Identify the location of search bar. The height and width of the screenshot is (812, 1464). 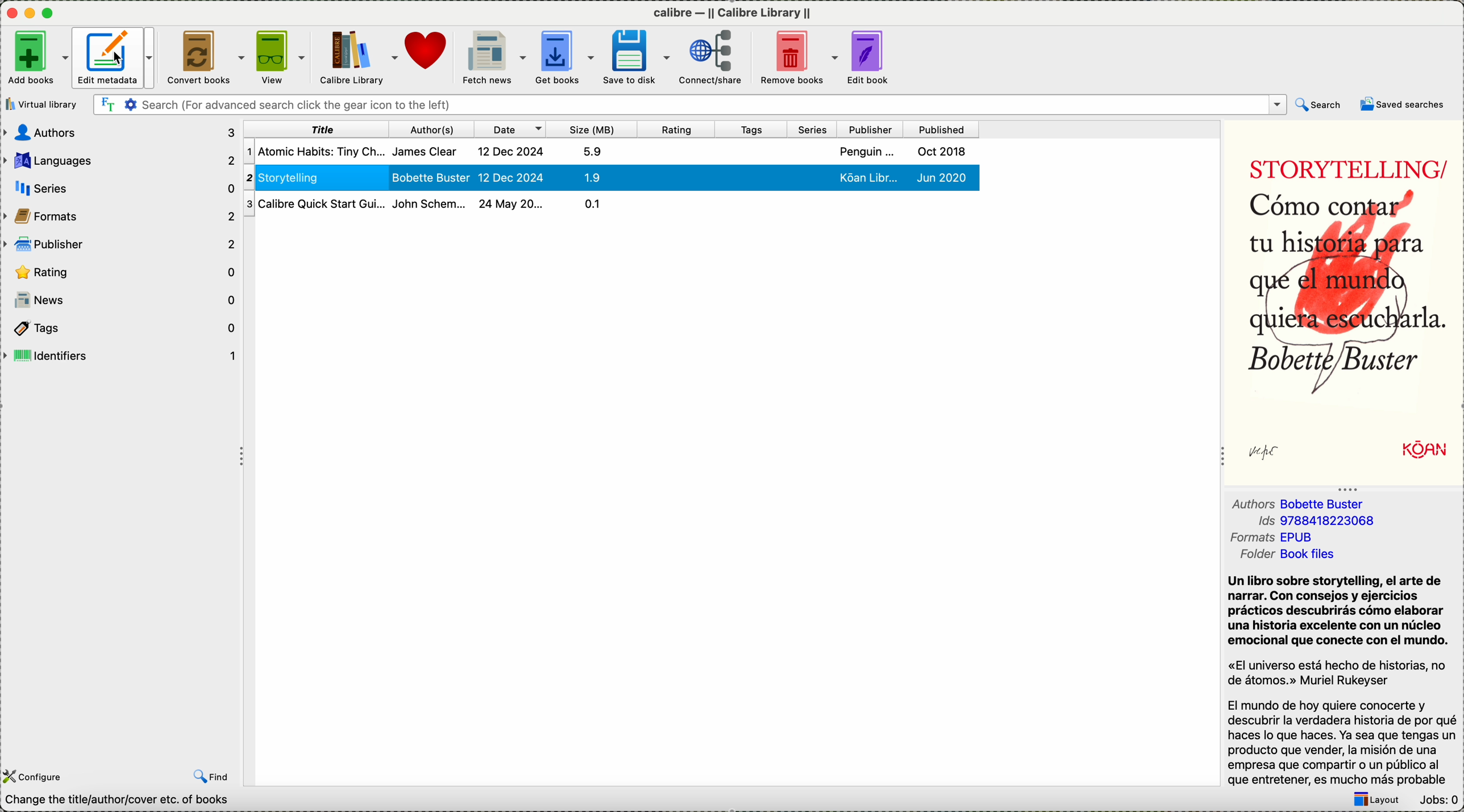
(690, 105).